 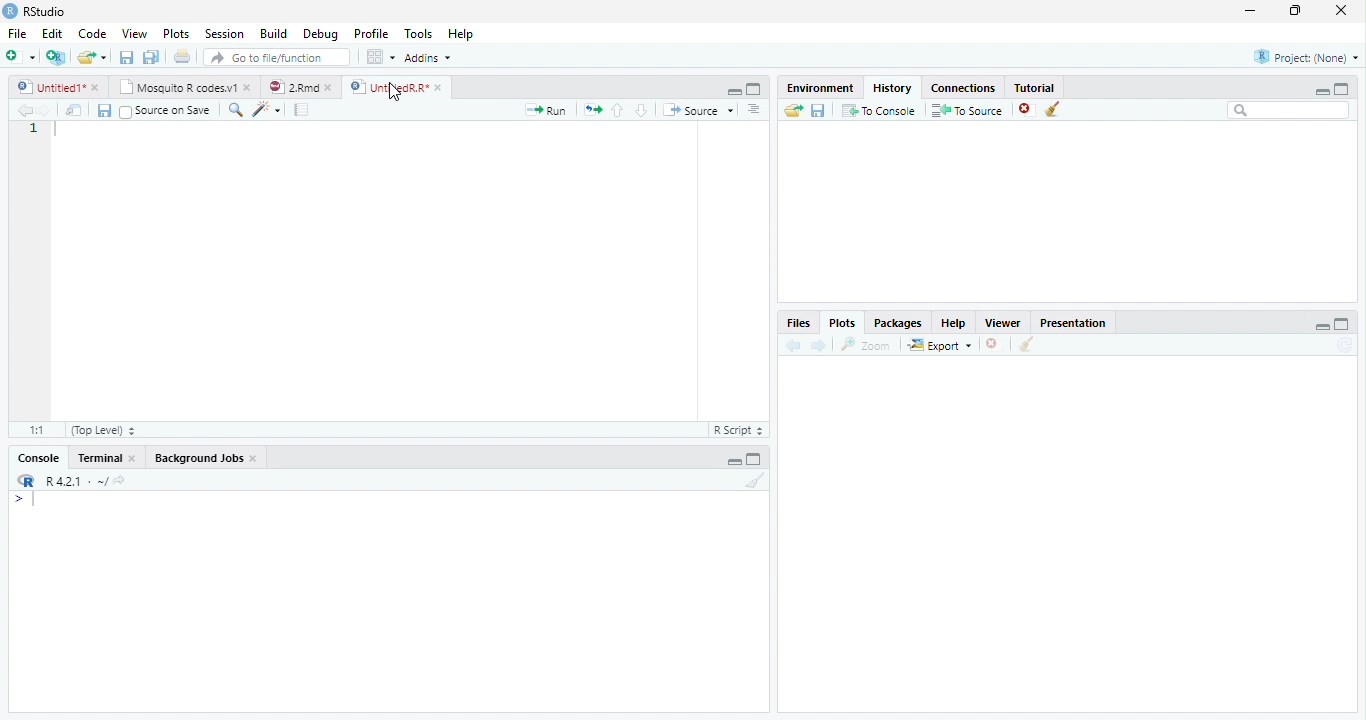 I want to click on Mosquito R codes.v1, so click(x=175, y=87).